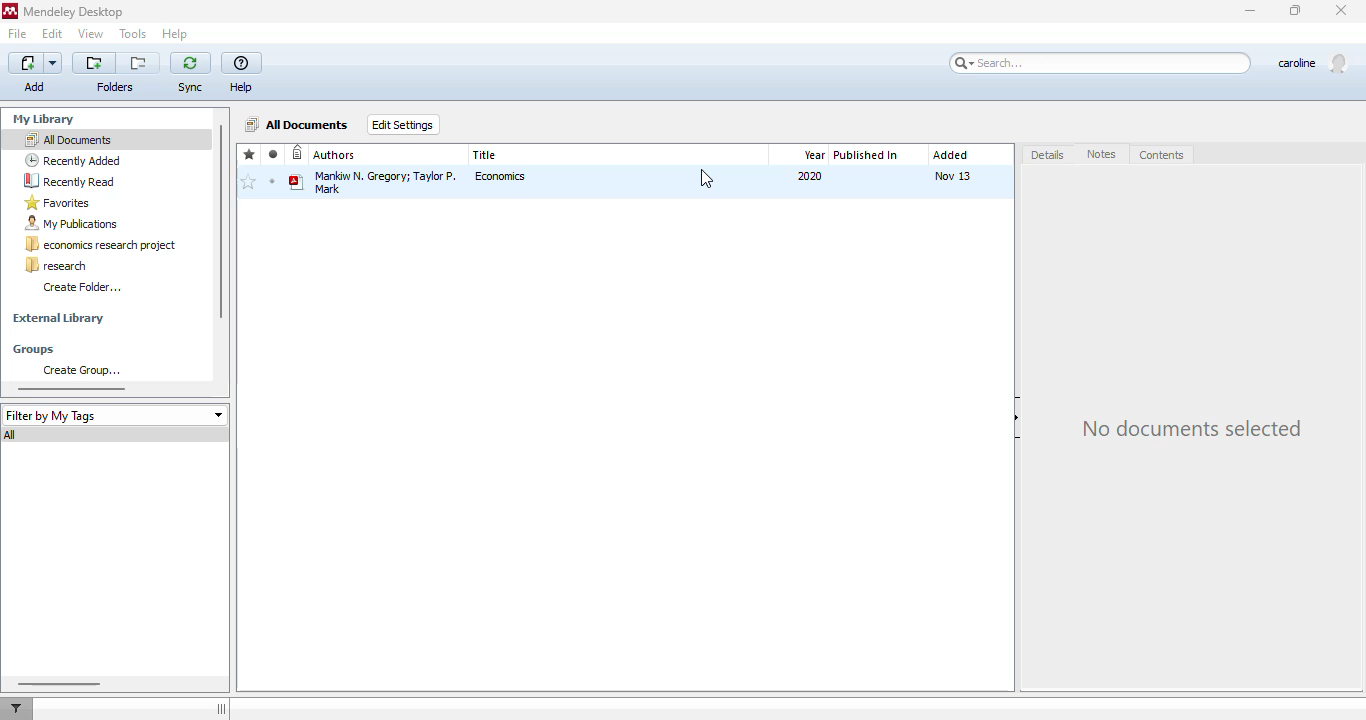 The width and height of the screenshot is (1366, 720). Describe the element at coordinates (73, 160) in the screenshot. I see `recently added` at that location.